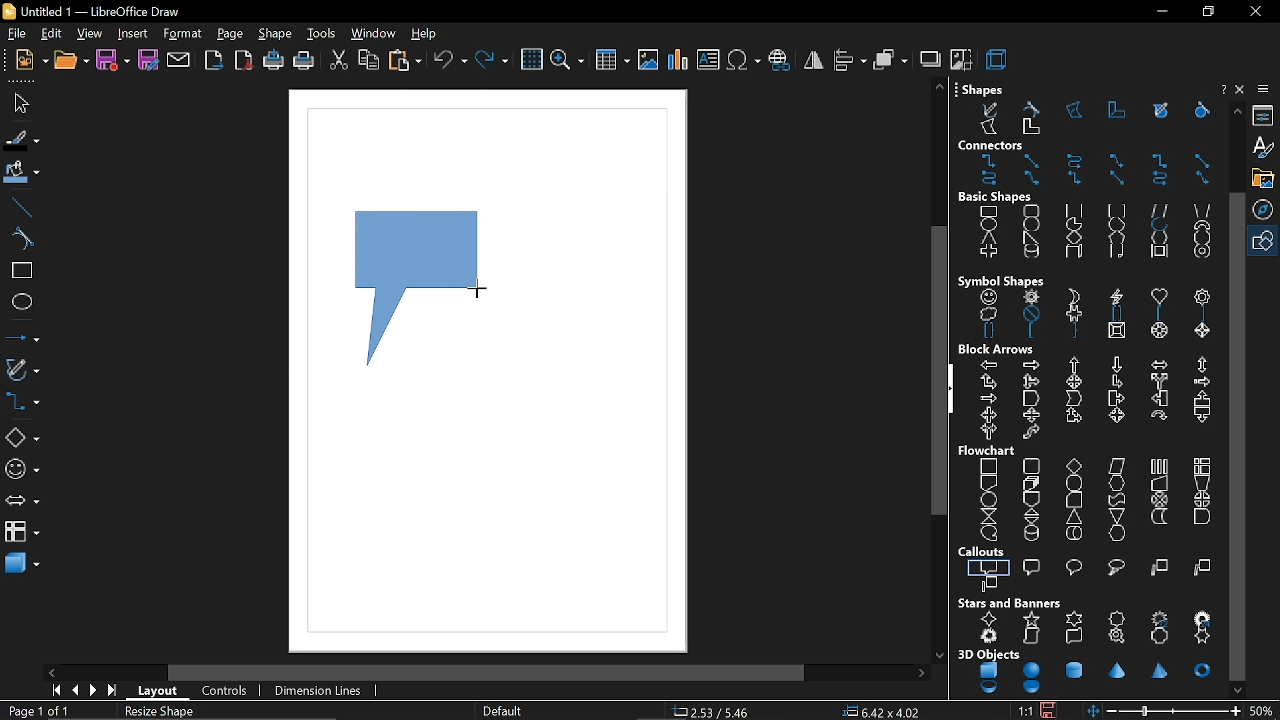 This screenshot has height=720, width=1280. Describe the element at coordinates (91, 692) in the screenshot. I see `next page` at that location.